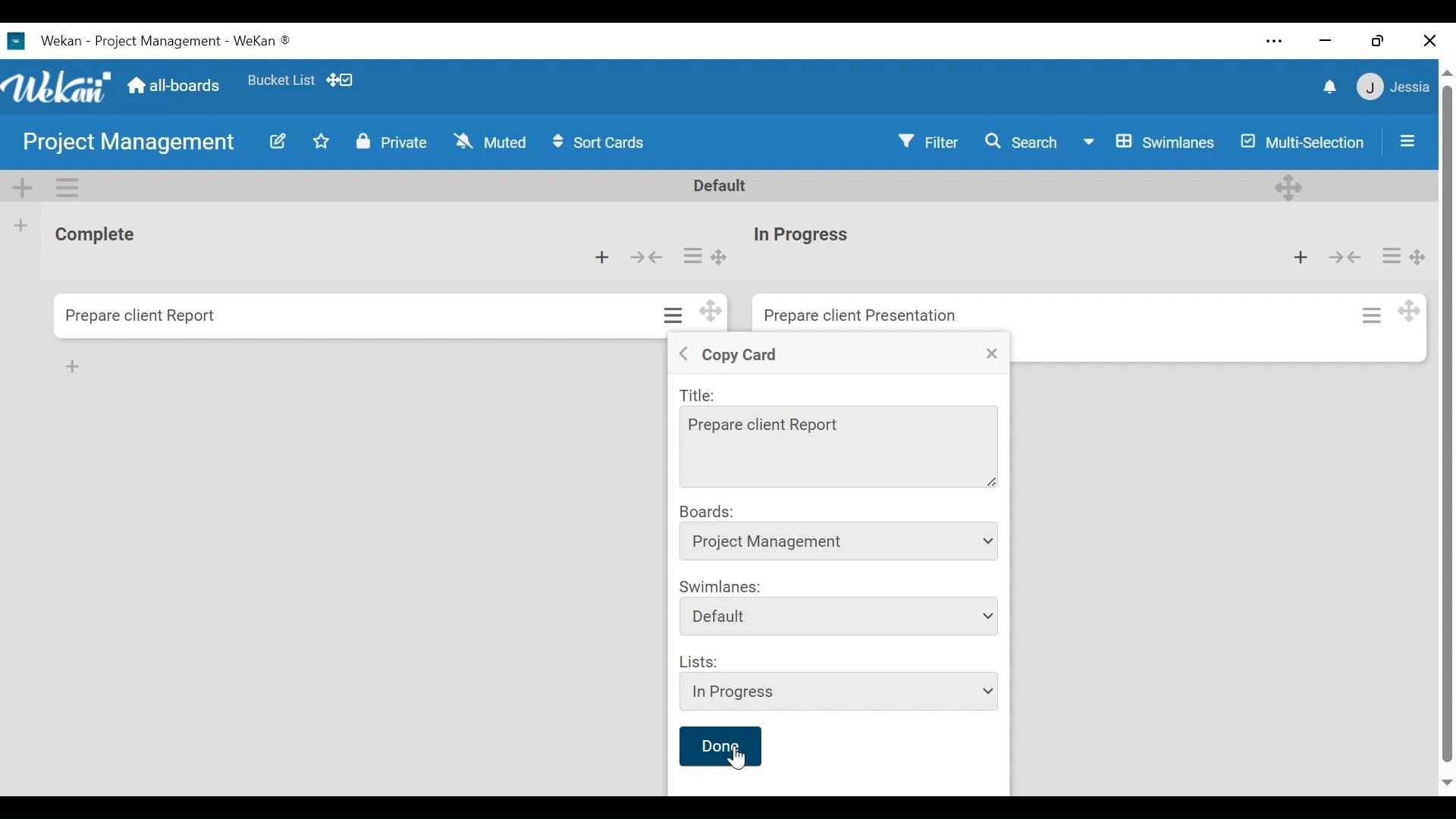 This screenshot has height=819, width=1456. I want to click on Sort Cards, so click(598, 142).